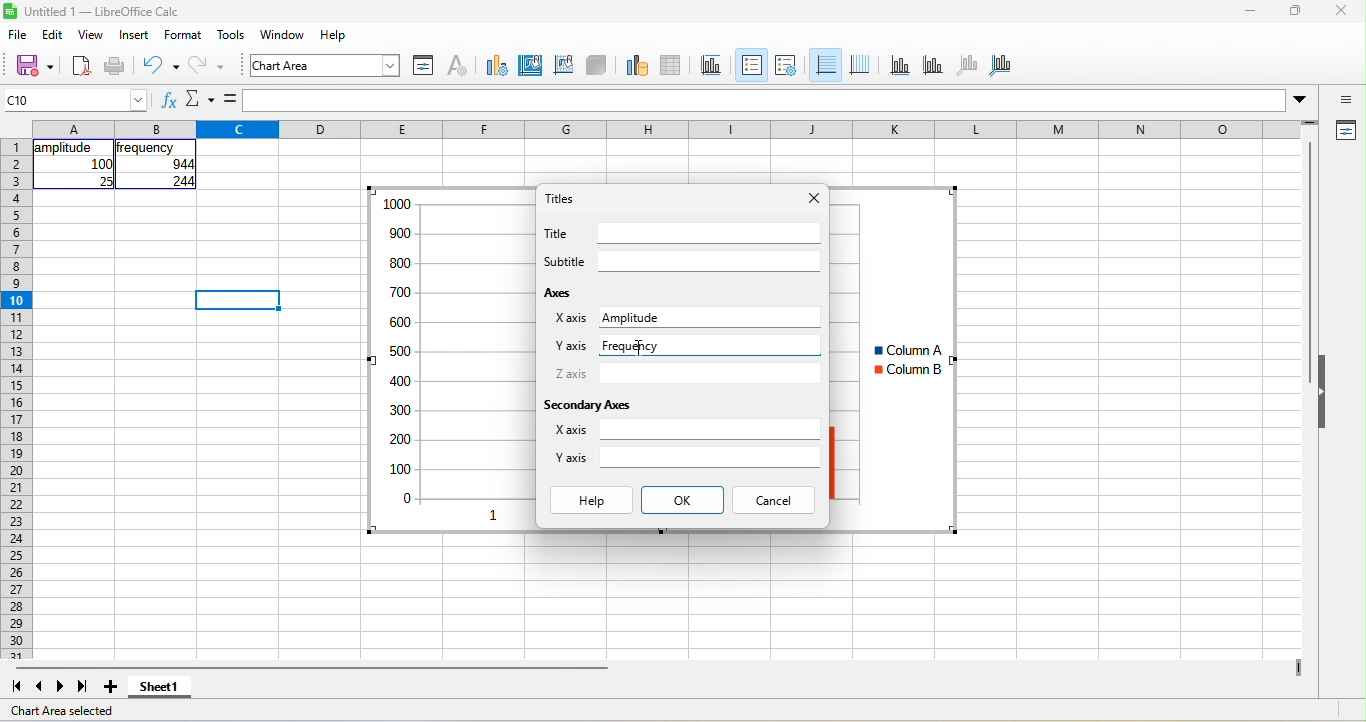  Describe the element at coordinates (1342, 10) in the screenshot. I see `close` at that location.